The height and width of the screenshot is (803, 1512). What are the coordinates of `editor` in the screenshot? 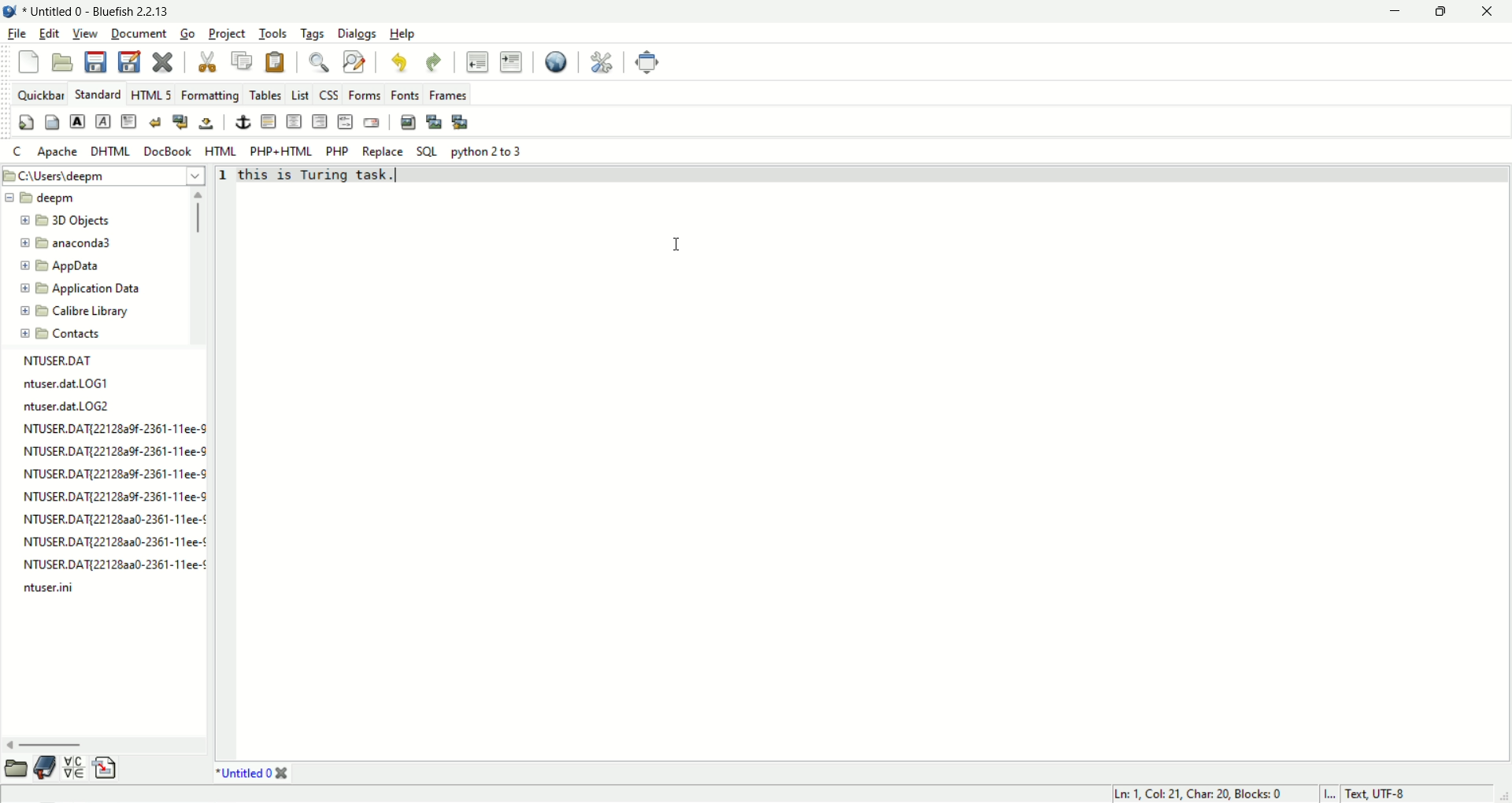 It's located at (873, 461).